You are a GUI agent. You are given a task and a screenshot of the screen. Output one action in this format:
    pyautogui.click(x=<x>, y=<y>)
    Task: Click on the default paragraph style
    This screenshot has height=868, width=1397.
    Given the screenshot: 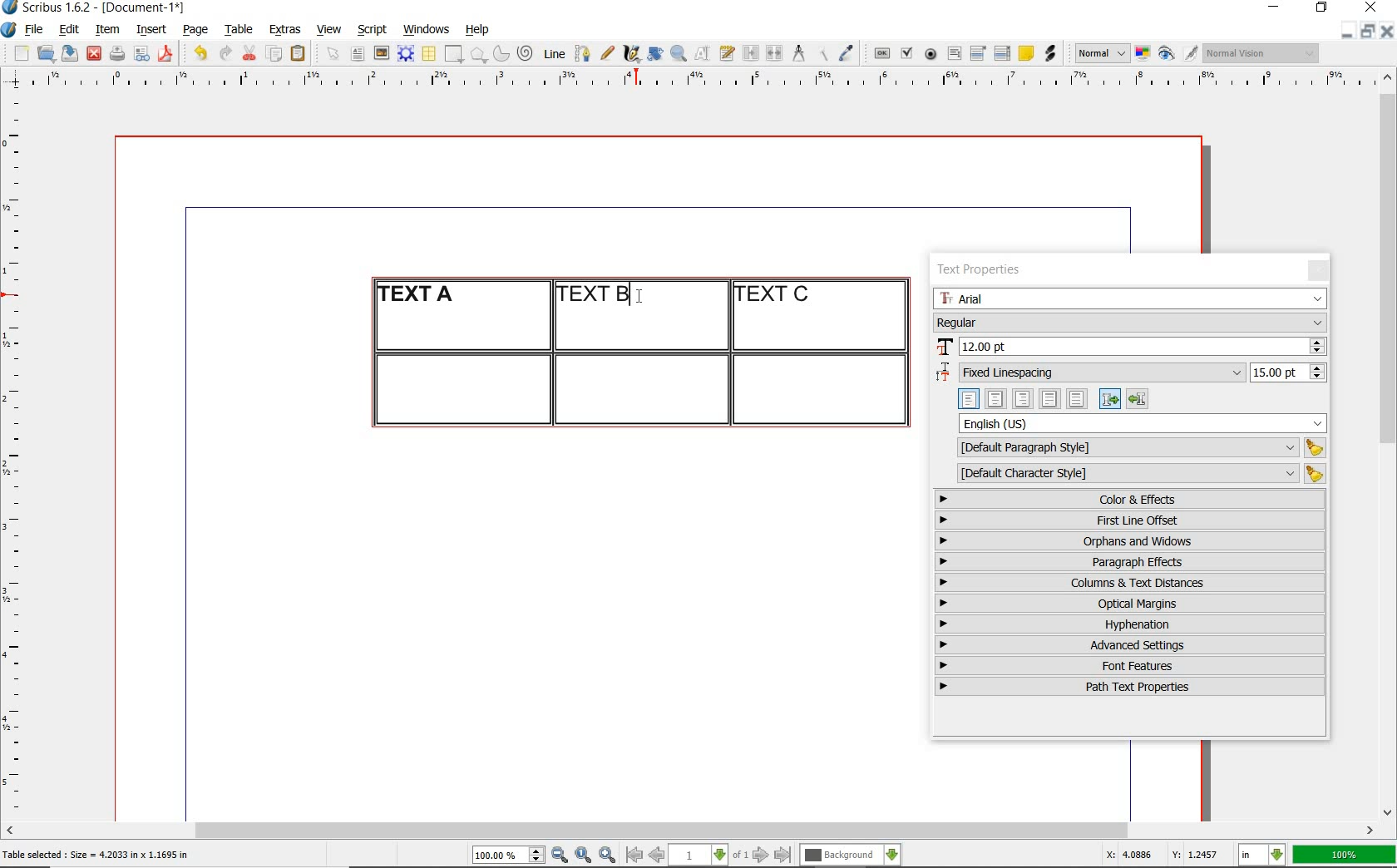 What is the action you would take?
    pyautogui.click(x=1138, y=448)
    